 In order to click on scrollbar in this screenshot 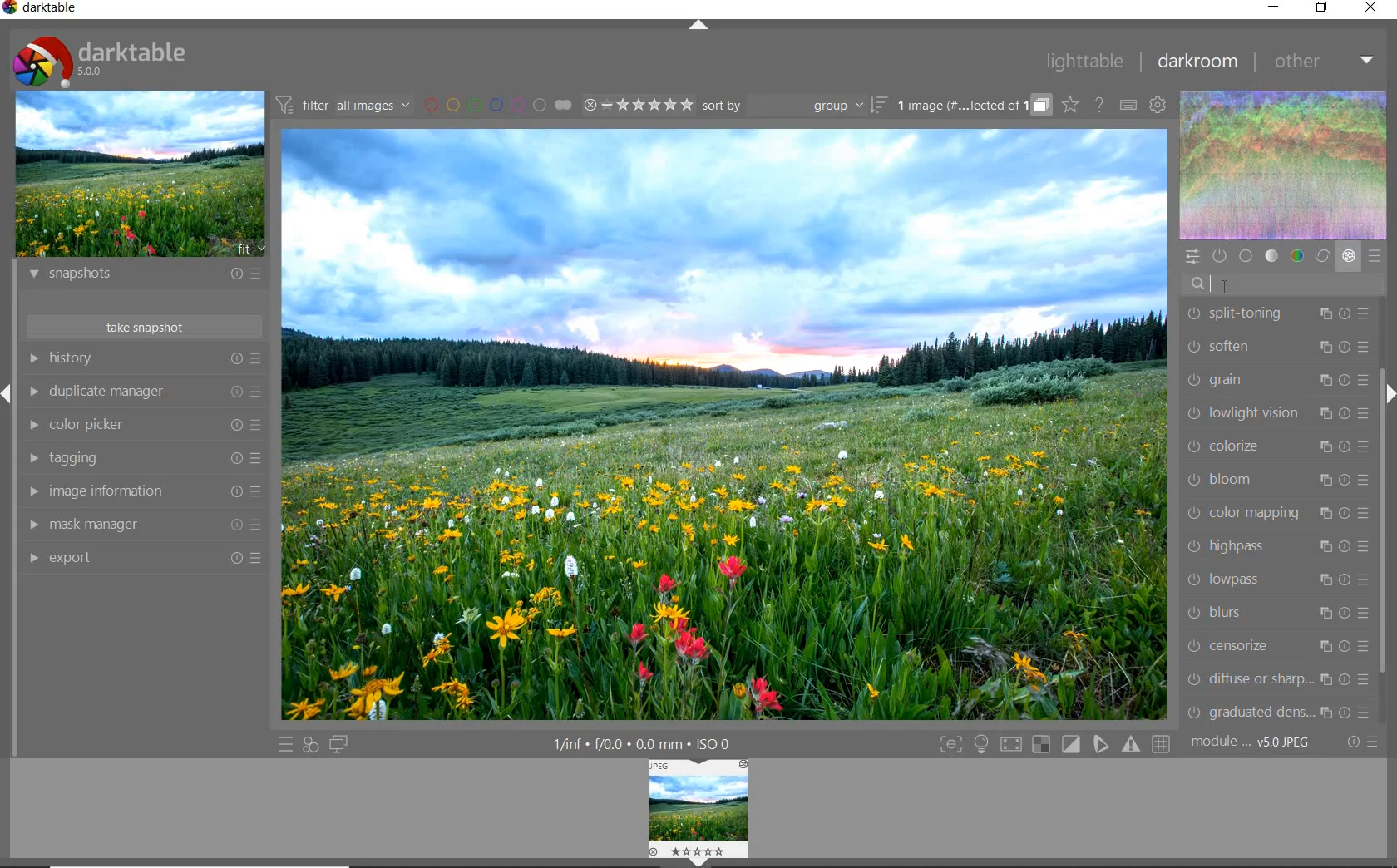, I will do `click(1382, 525)`.